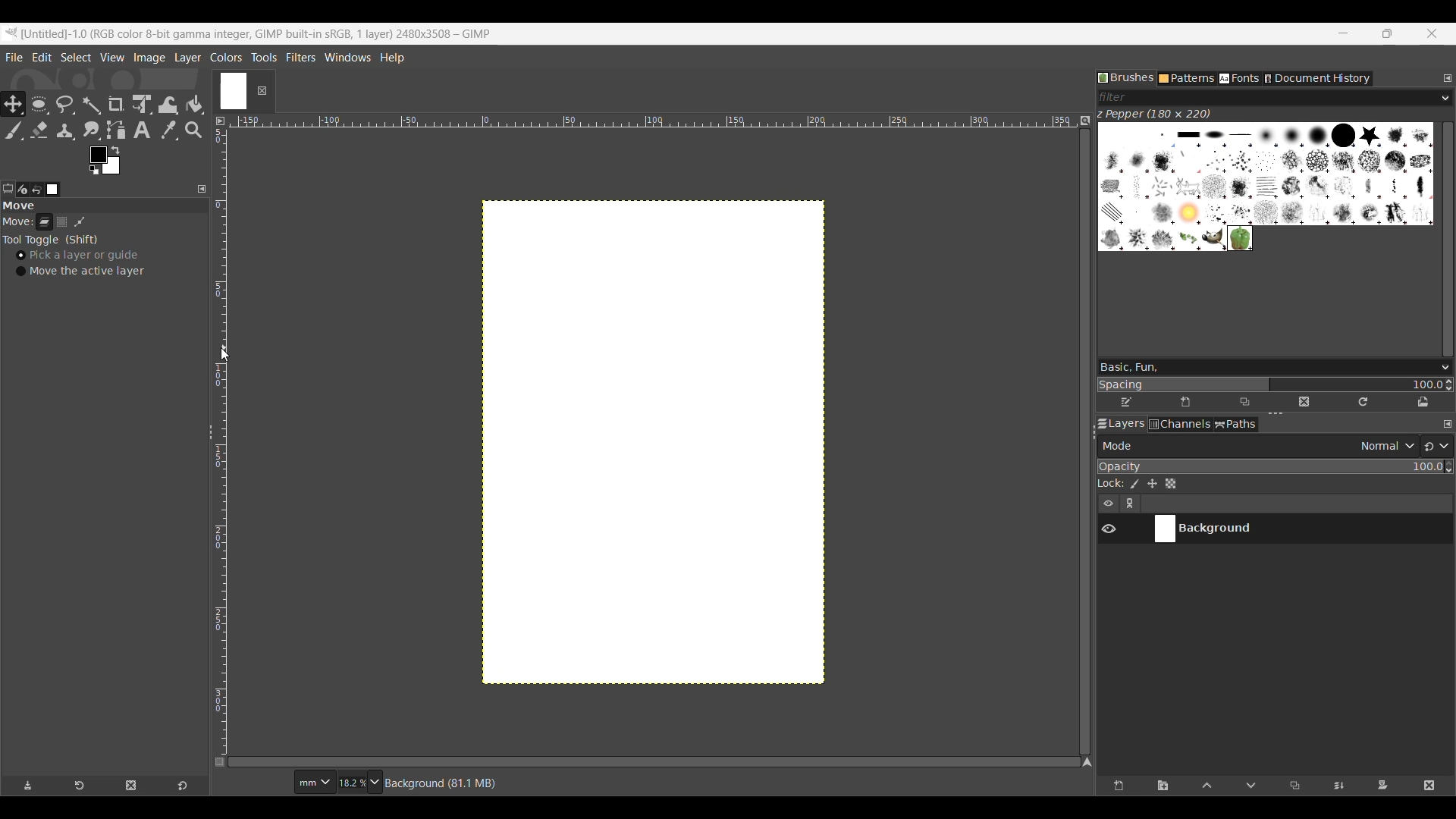 The width and height of the screenshot is (1456, 819). What do you see at coordinates (116, 104) in the screenshot?
I see `Crop tool` at bounding box center [116, 104].